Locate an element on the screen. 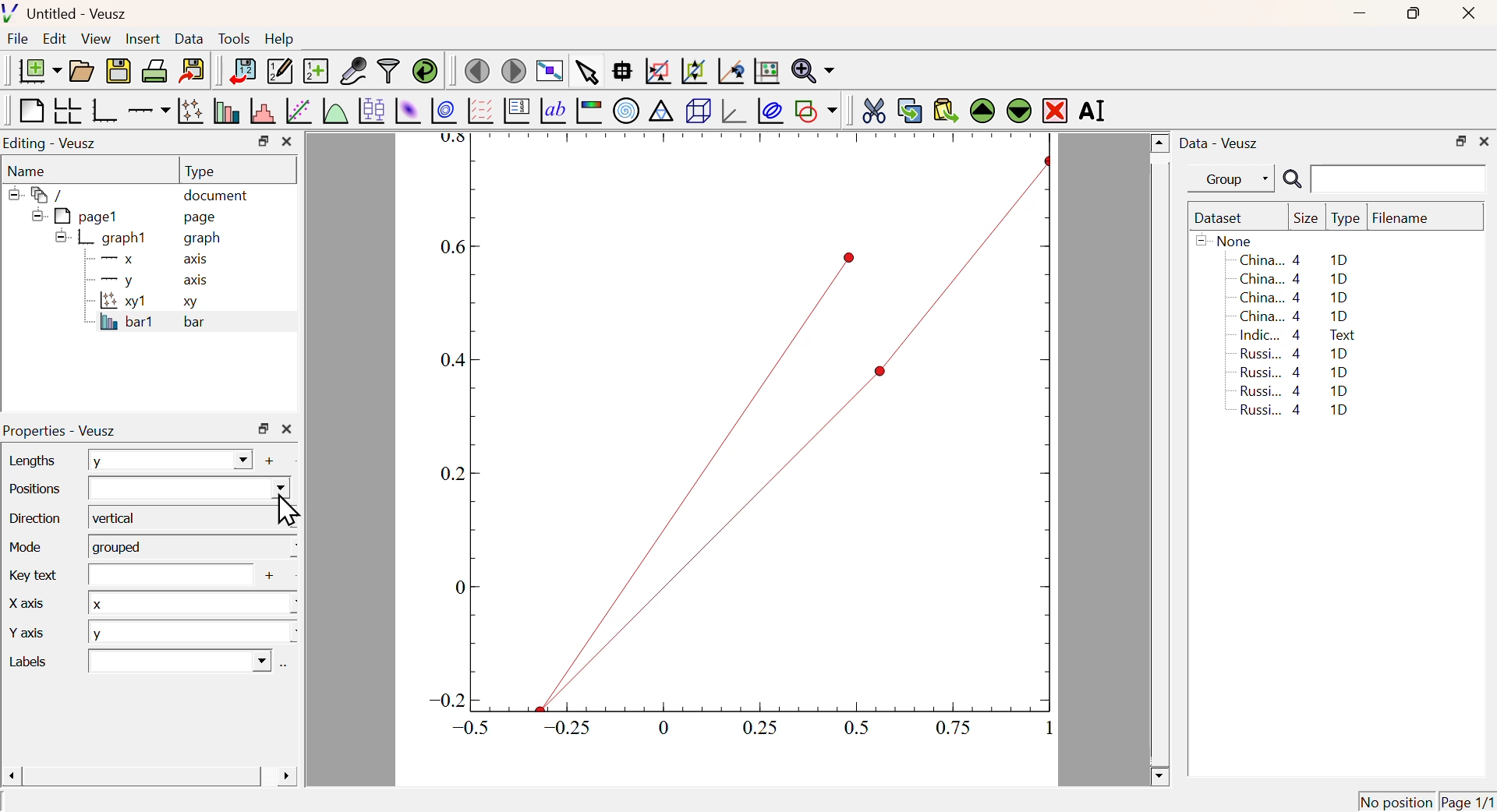 The height and width of the screenshot is (812, 1497). Scroll is located at coordinates (149, 778).